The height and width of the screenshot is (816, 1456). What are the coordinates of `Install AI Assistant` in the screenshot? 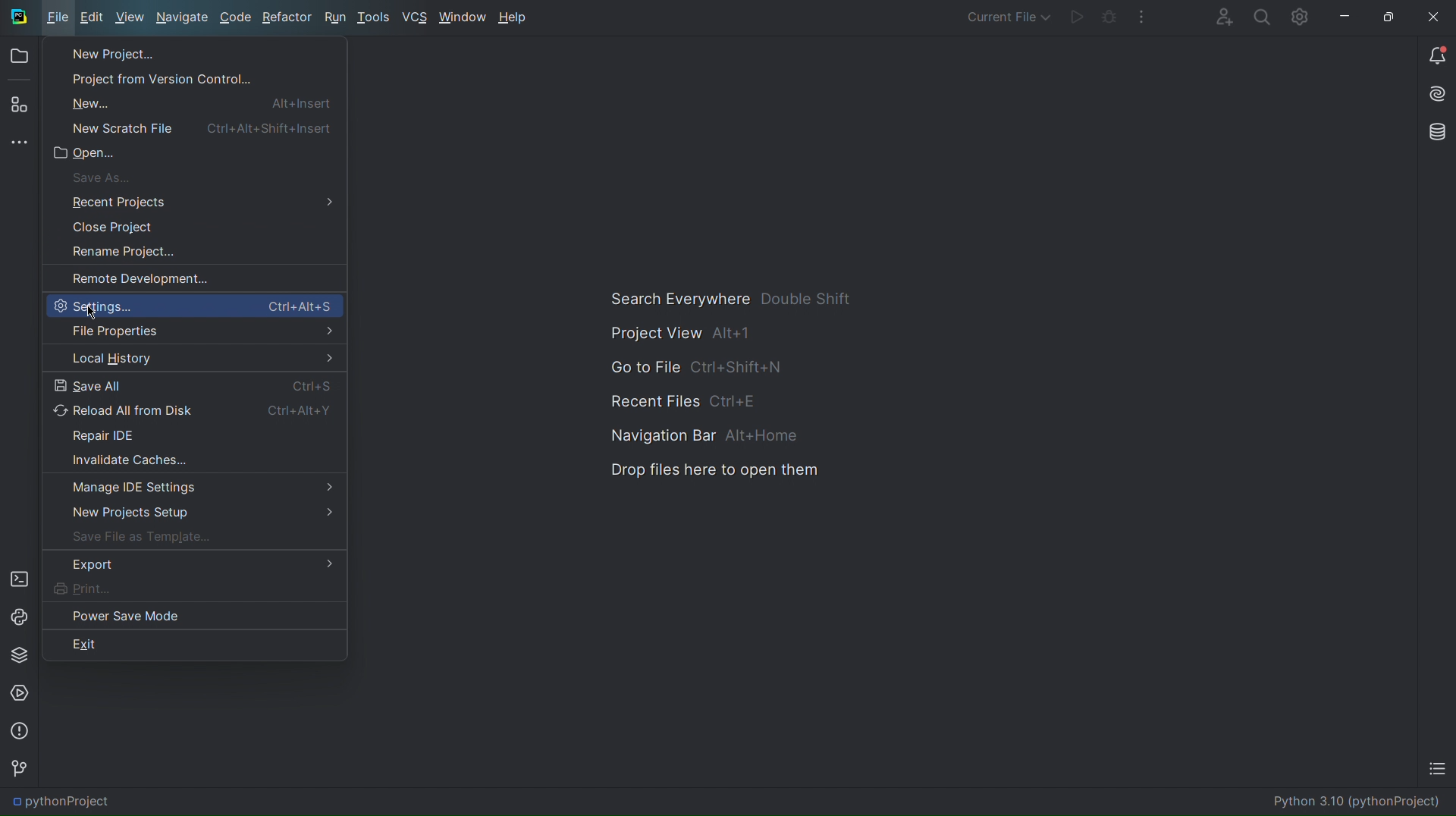 It's located at (1435, 96).